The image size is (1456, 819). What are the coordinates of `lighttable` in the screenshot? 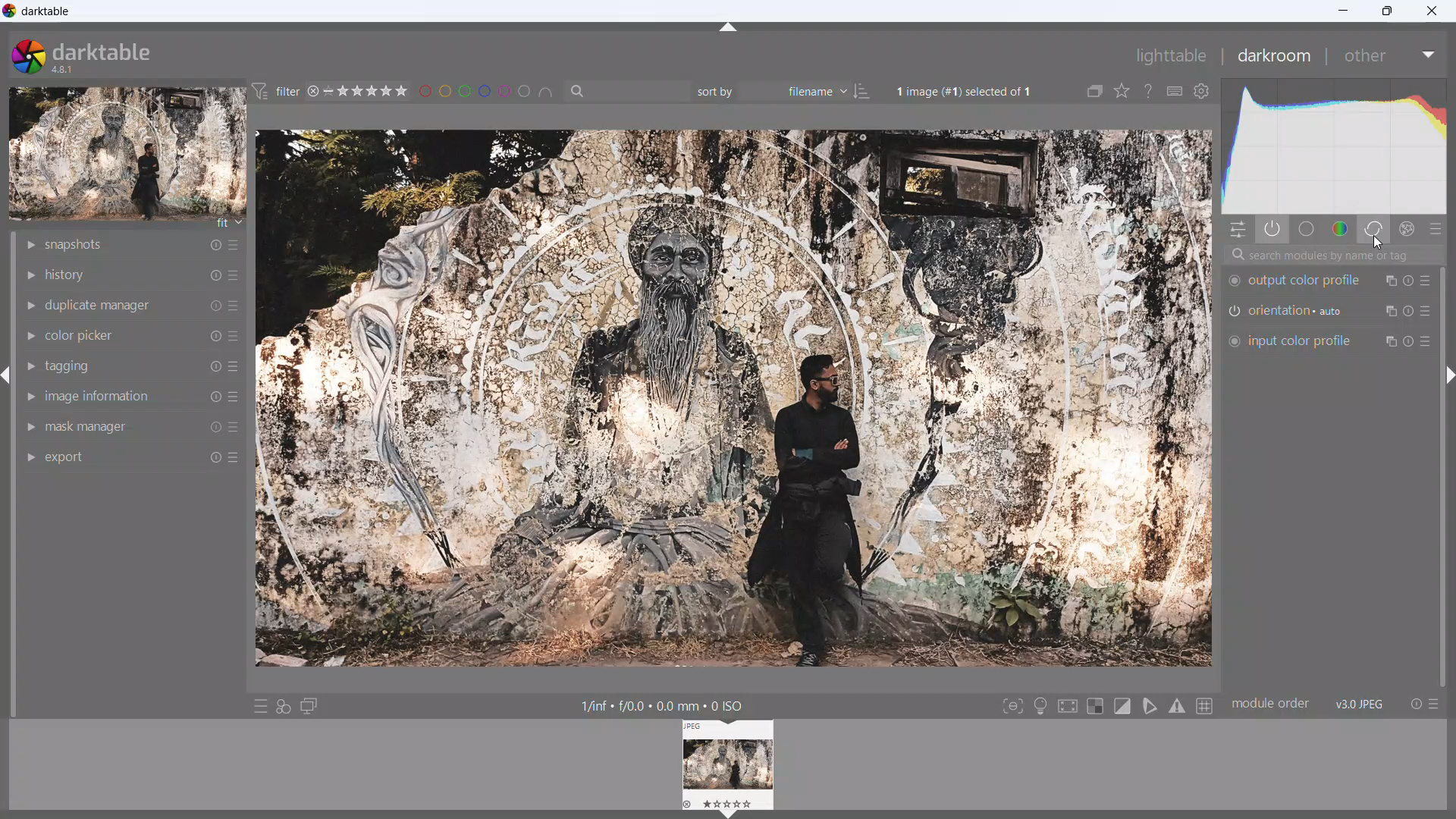 It's located at (1172, 55).